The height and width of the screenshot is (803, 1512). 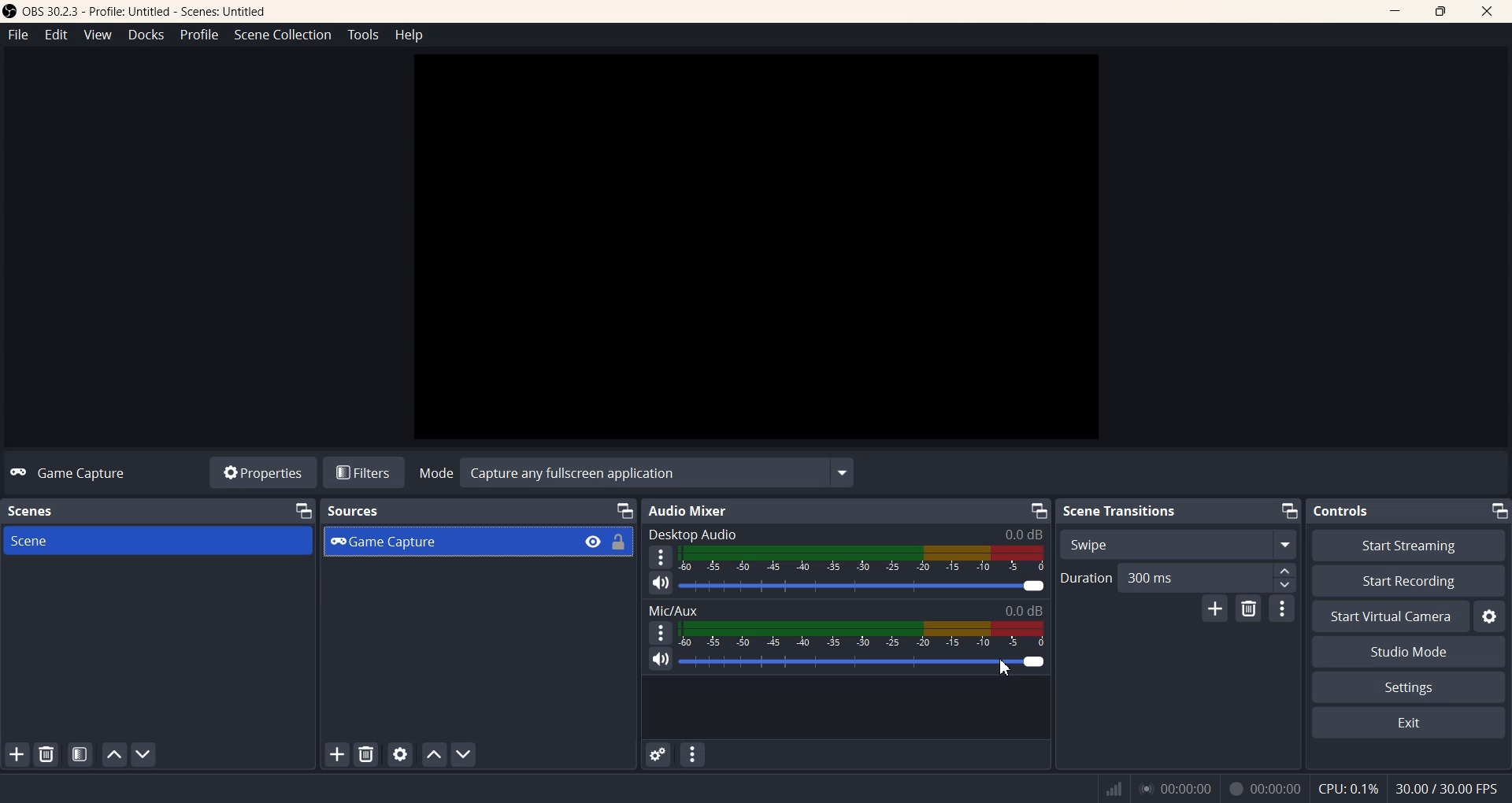 I want to click on Move Scene Down, so click(x=145, y=754).